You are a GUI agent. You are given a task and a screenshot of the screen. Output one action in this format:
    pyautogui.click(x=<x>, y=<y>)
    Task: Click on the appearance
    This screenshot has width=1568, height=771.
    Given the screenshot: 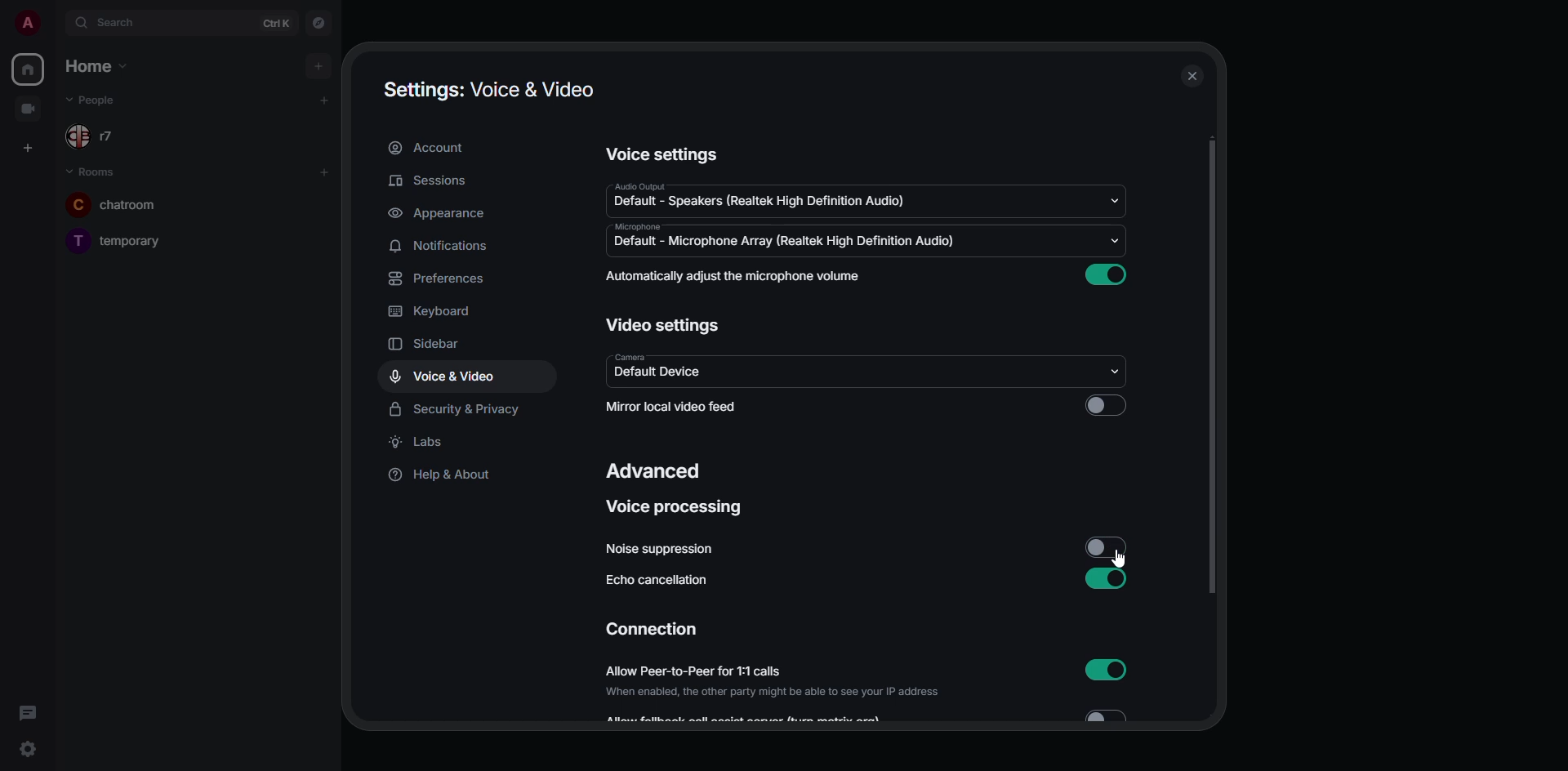 What is the action you would take?
    pyautogui.click(x=439, y=215)
    